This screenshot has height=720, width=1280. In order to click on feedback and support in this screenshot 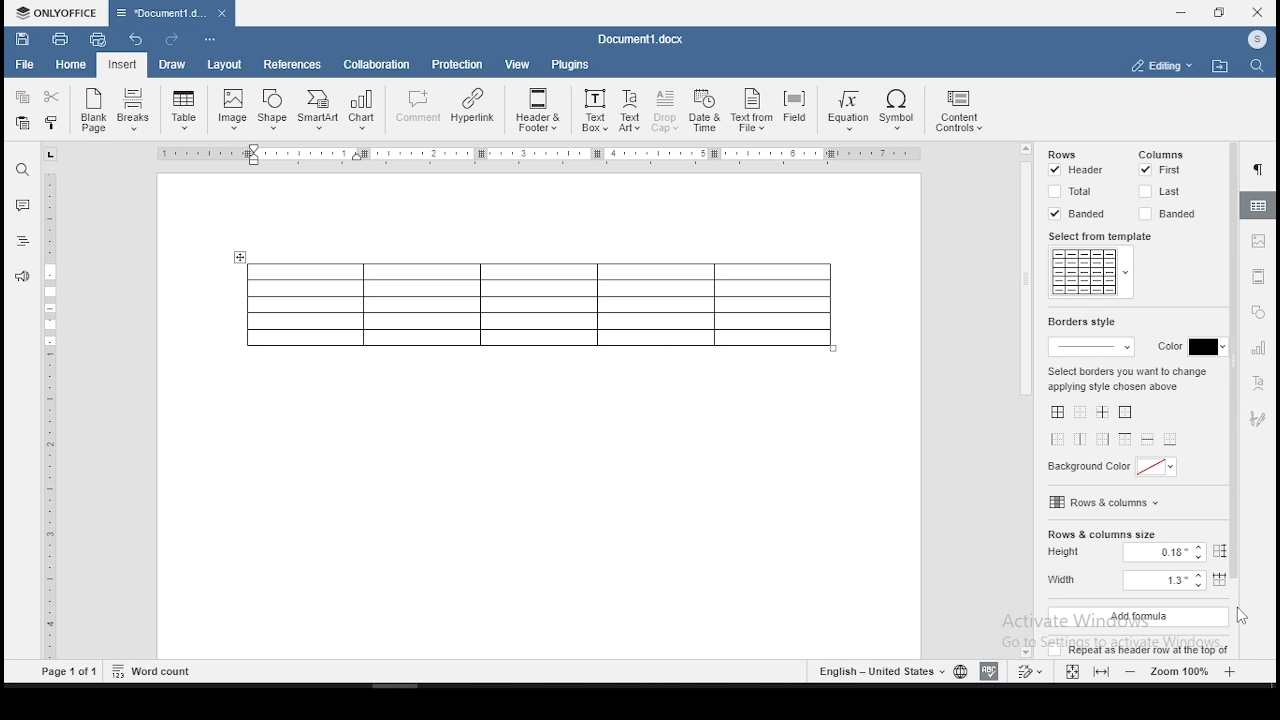, I will do `click(23, 275)`.